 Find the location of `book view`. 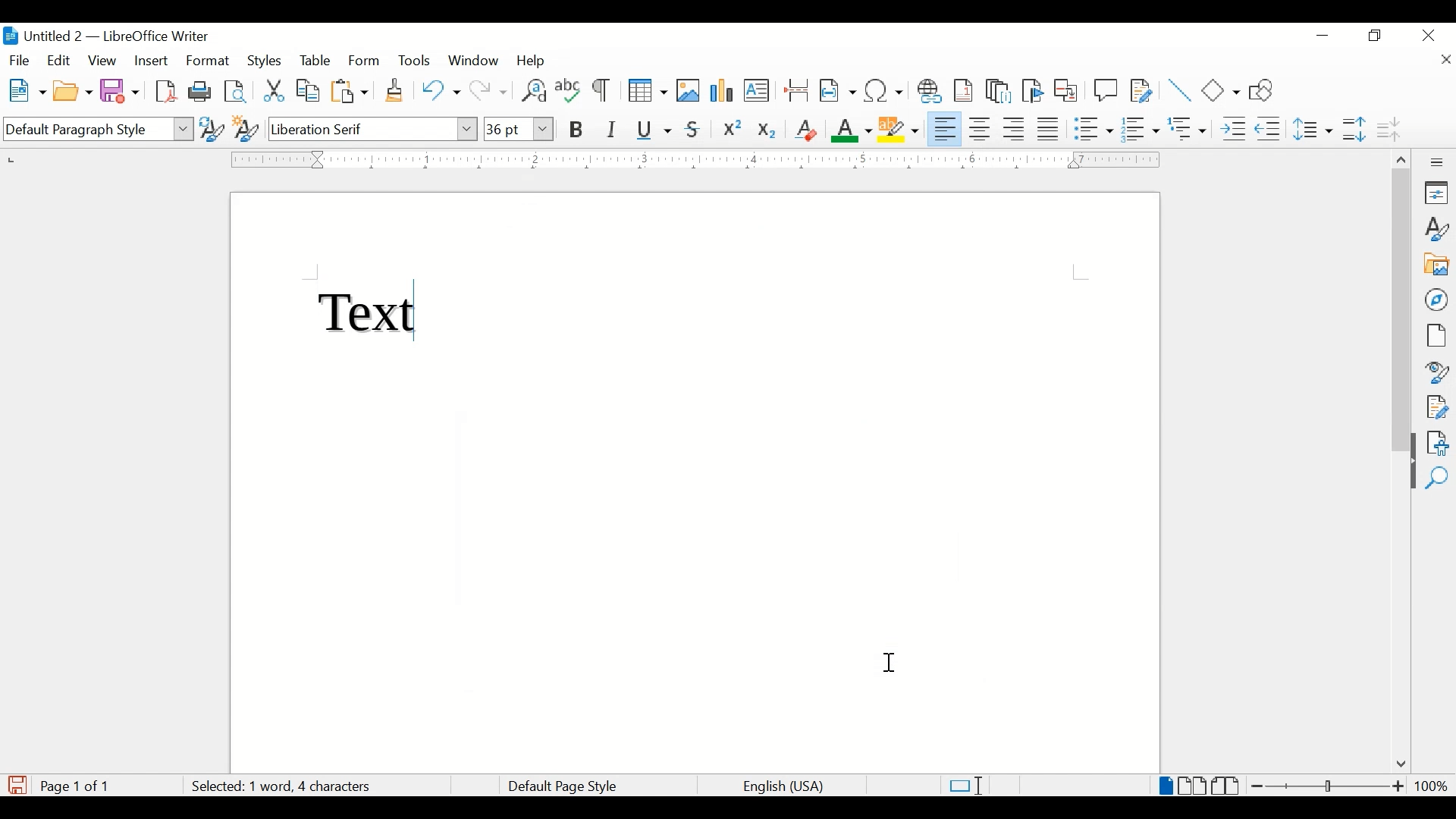

book view is located at coordinates (1228, 786).